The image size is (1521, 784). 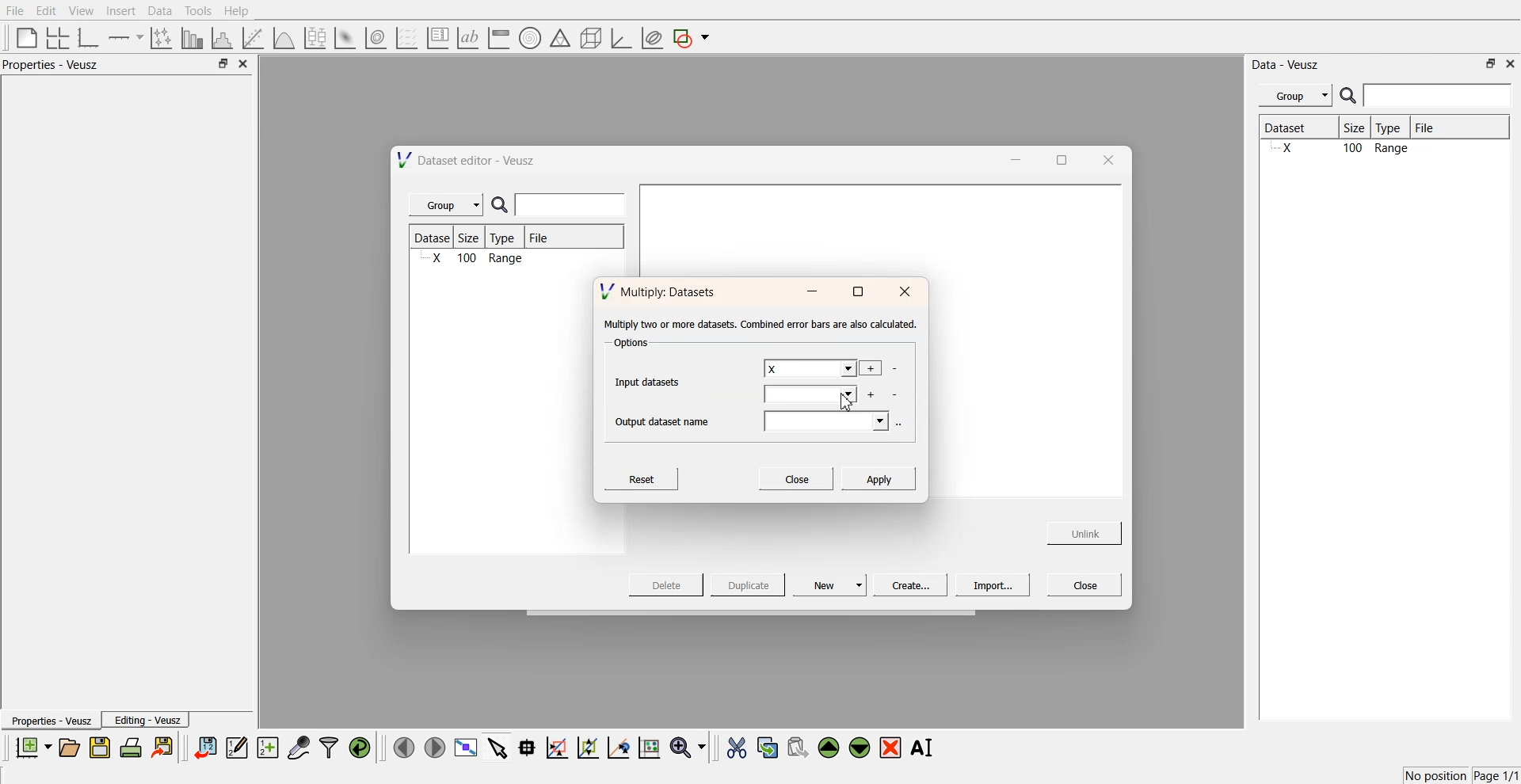 What do you see at coordinates (223, 64) in the screenshot?
I see `minimise or maximise` at bounding box center [223, 64].